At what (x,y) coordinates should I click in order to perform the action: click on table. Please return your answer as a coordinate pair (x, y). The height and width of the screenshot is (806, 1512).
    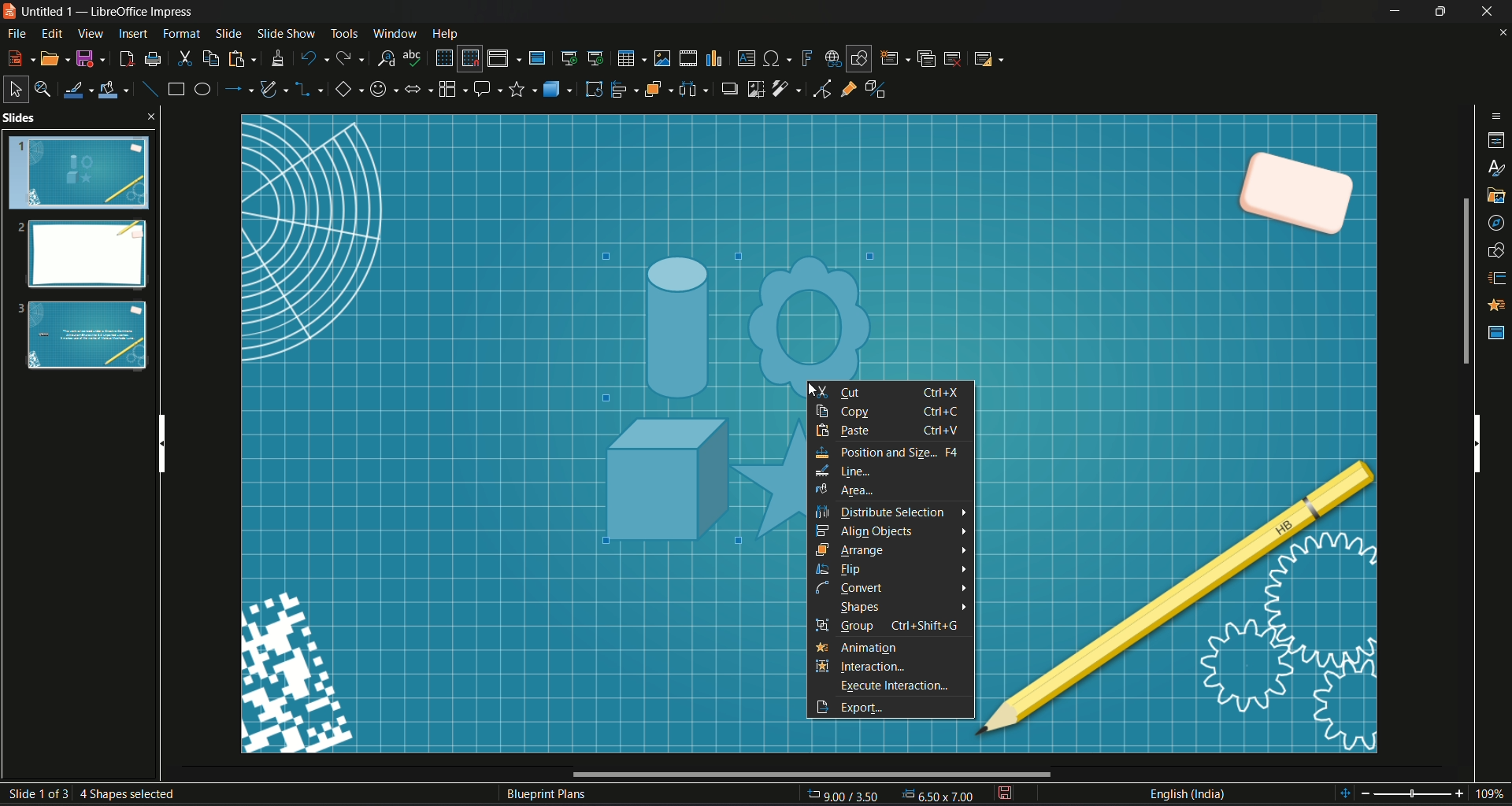
    Looking at the image, I should click on (630, 58).